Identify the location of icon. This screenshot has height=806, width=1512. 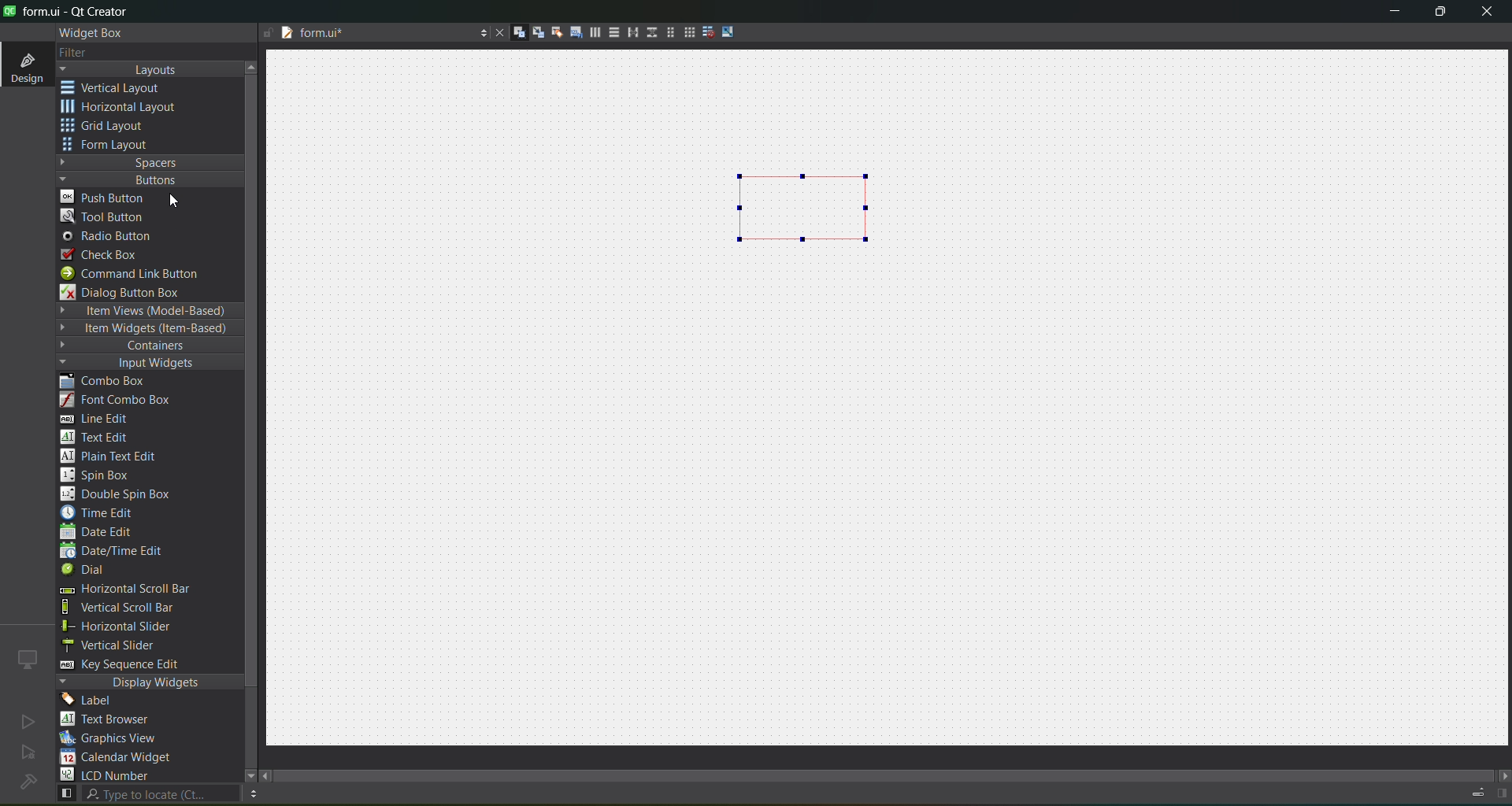
(28, 659).